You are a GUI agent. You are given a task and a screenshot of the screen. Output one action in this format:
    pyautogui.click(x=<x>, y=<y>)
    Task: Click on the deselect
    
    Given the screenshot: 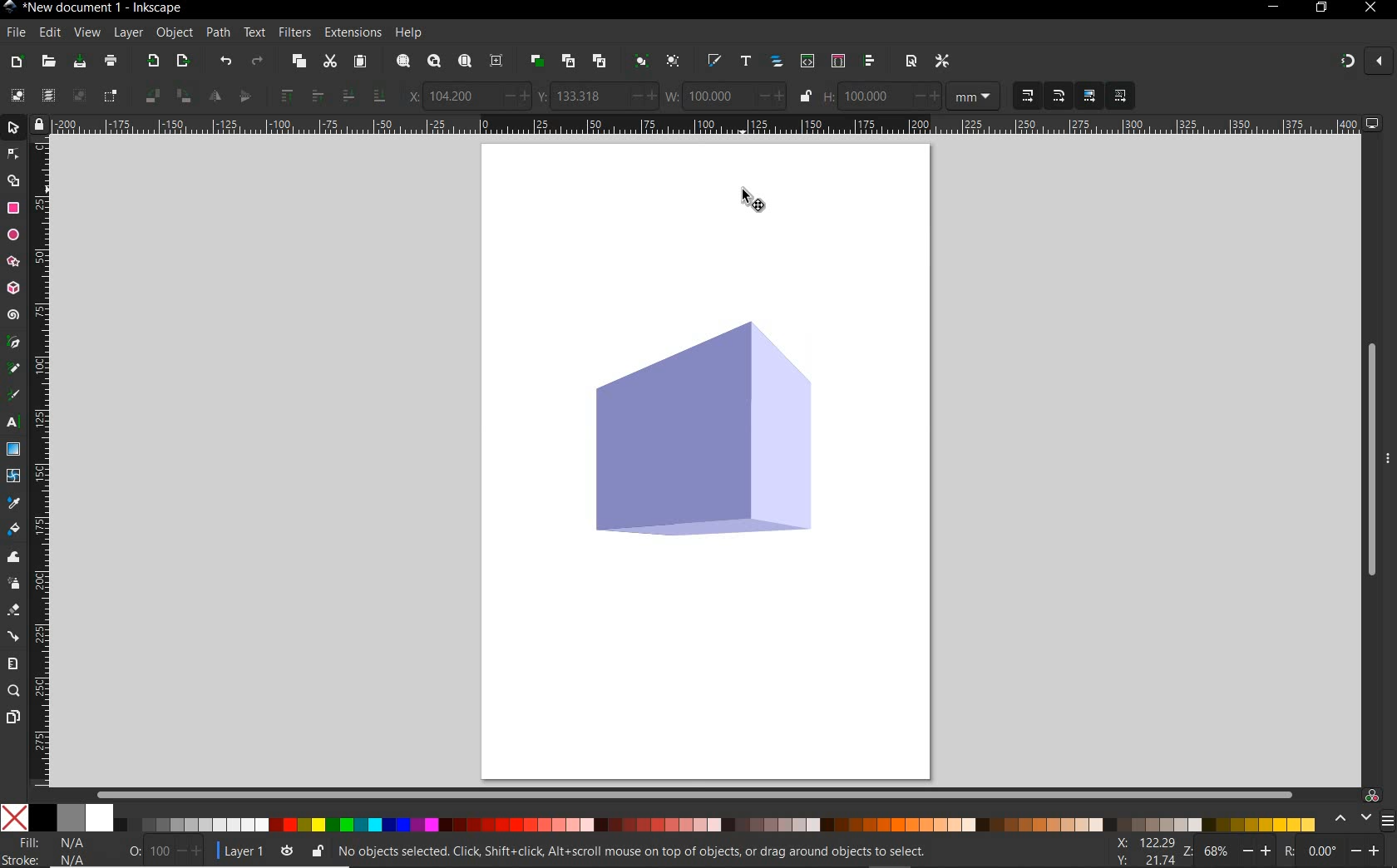 What is the action you would take?
    pyautogui.click(x=78, y=96)
    